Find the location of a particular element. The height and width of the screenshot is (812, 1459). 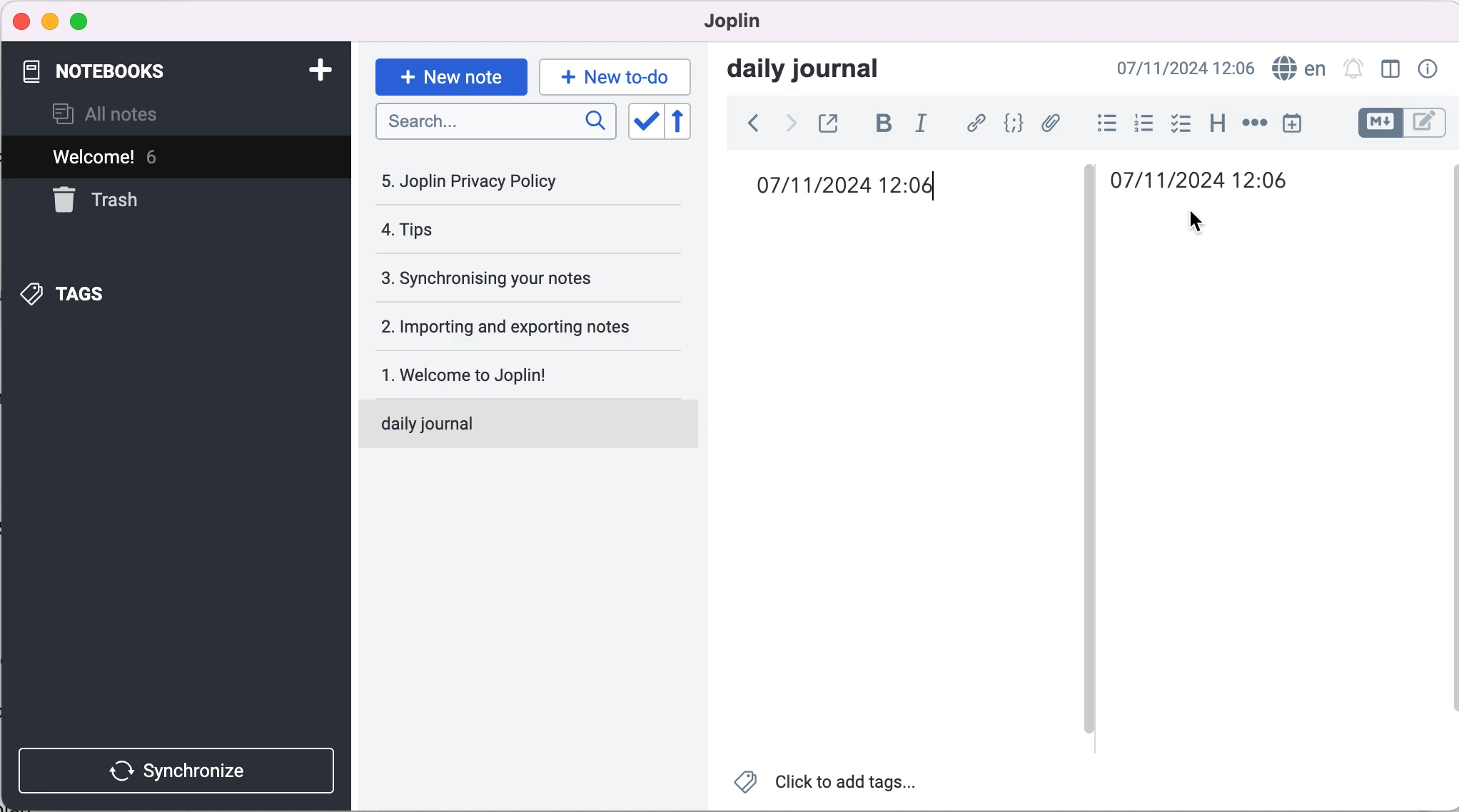

importing and exporting notes is located at coordinates (515, 326).